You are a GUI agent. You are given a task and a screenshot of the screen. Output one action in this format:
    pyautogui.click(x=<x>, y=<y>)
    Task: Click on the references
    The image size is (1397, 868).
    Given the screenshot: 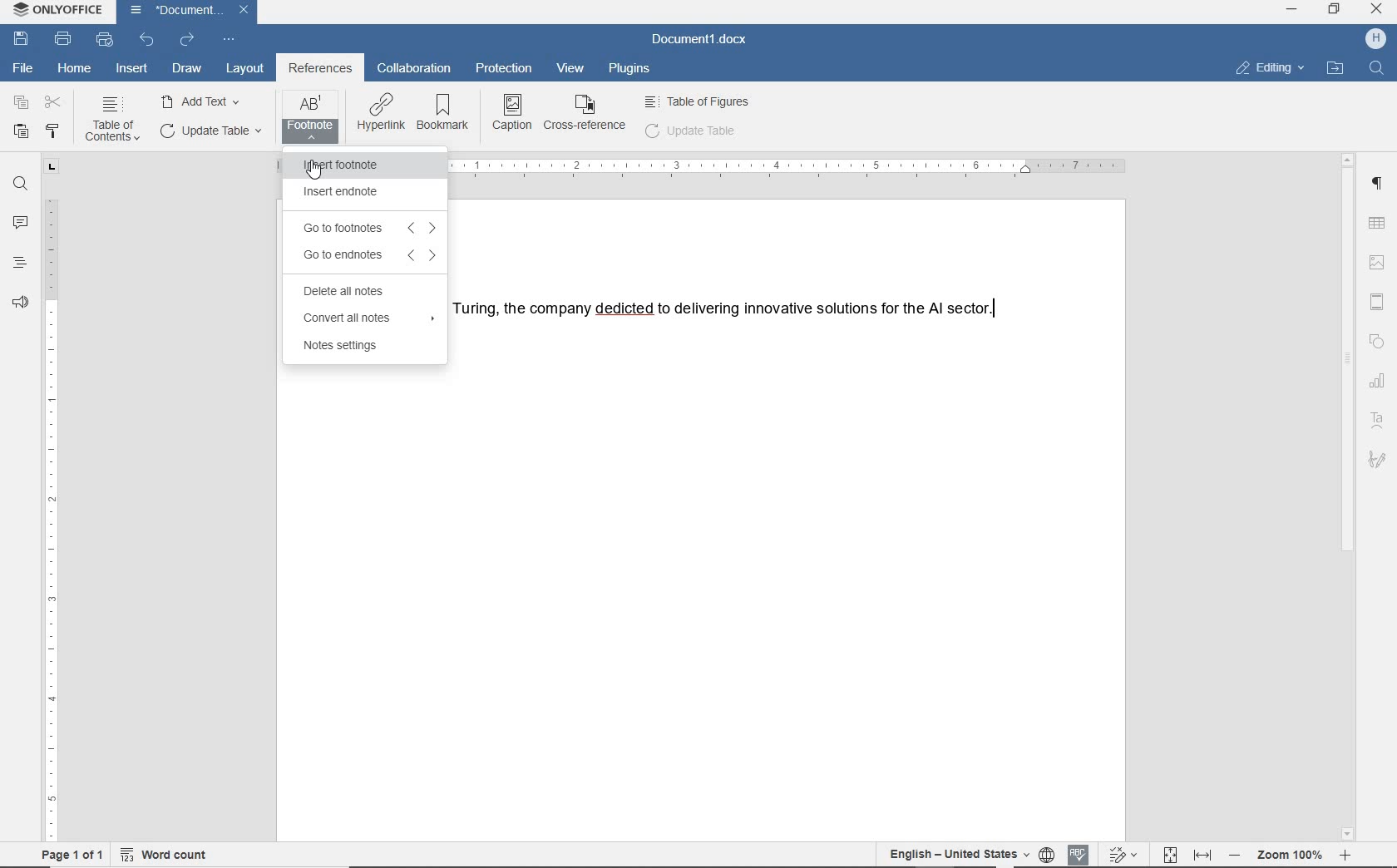 What is the action you would take?
    pyautogui.click(x=320, y=70)
    